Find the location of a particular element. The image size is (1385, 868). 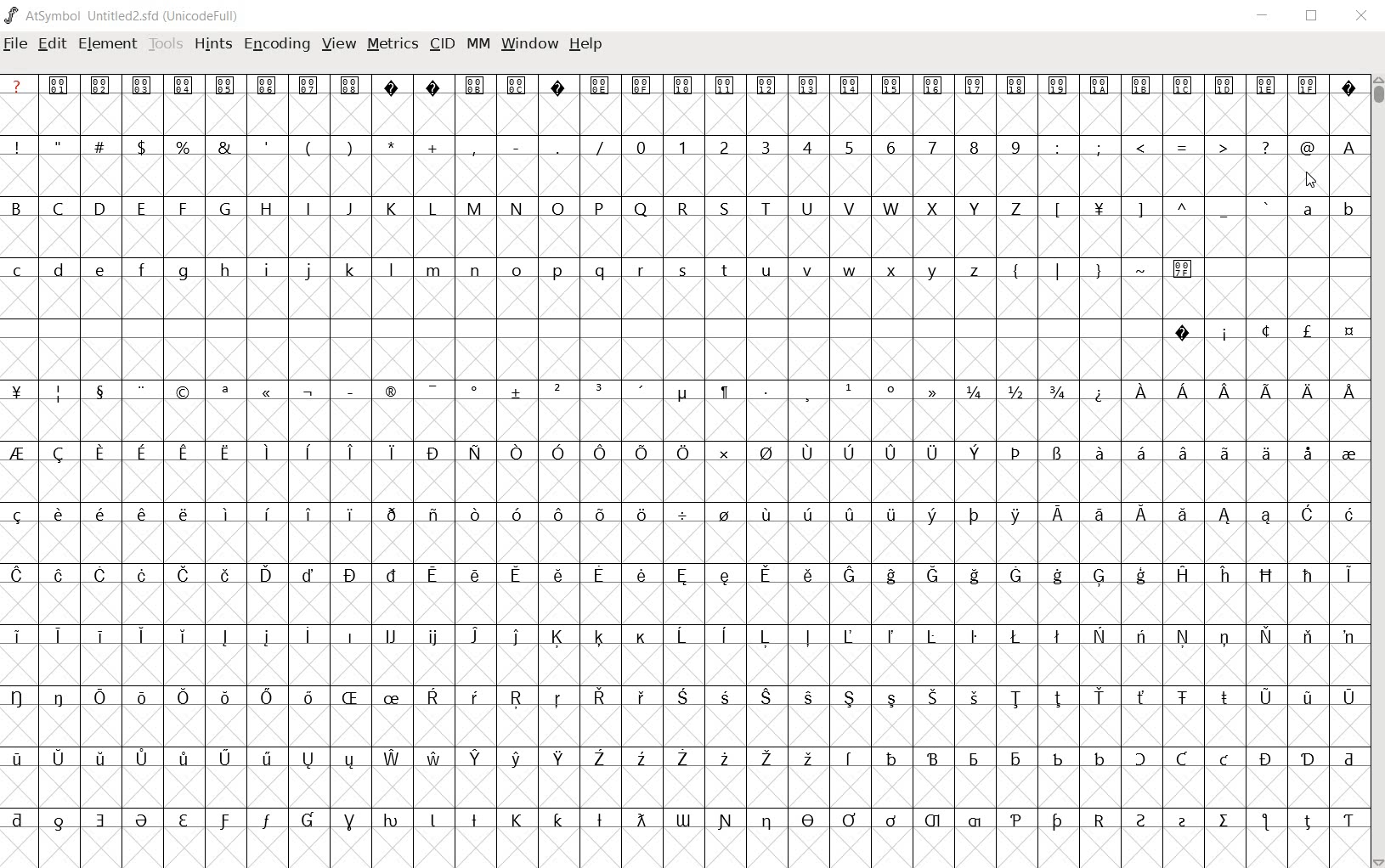

SCROLLBAR is located at coordinates (1377, 472).